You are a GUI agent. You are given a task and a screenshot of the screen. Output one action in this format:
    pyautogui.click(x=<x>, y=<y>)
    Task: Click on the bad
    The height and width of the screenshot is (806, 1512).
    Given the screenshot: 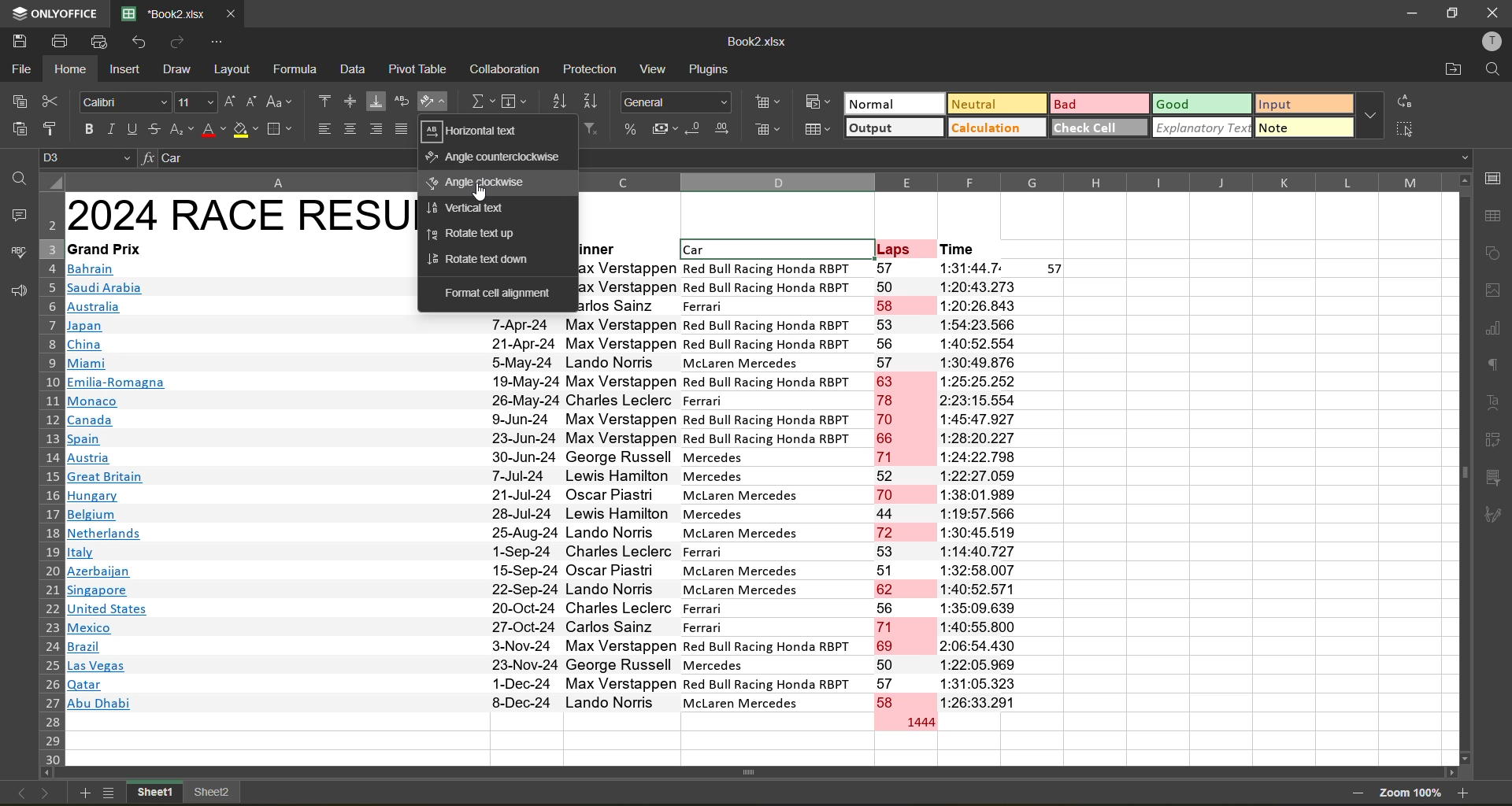 What is the action you would take?
    pyautogui.click(x=1101, y=103)
    